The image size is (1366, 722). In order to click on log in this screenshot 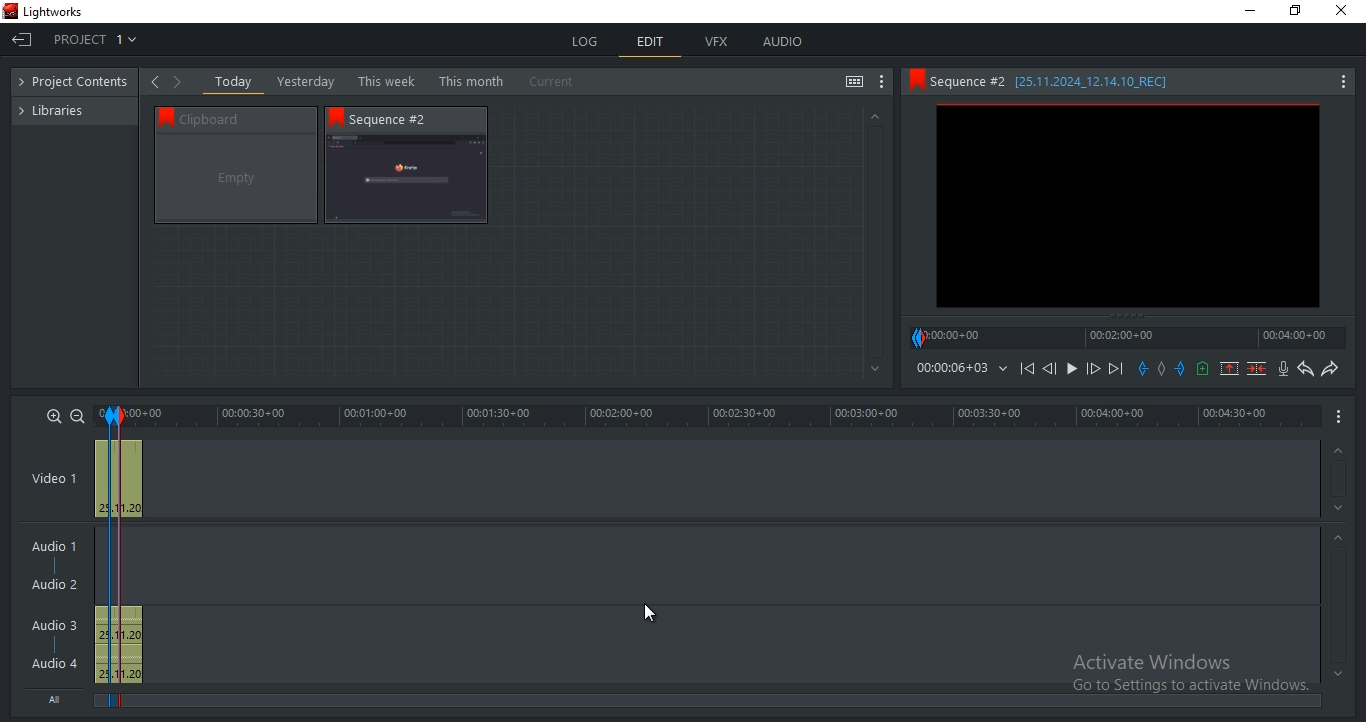, I will do `click(587, 41)`.